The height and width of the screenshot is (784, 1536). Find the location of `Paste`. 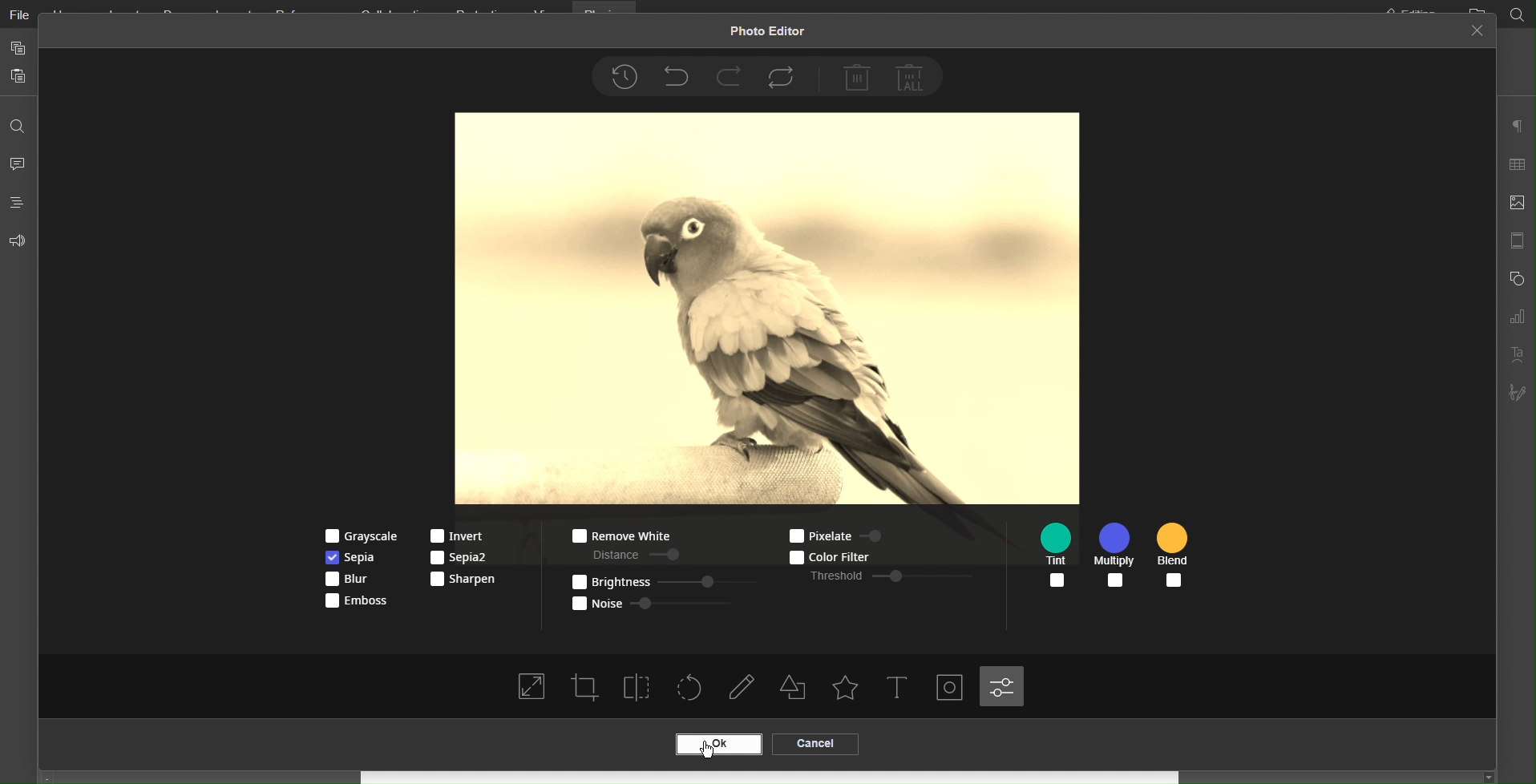

Paste is located at coordinates (19, 77).